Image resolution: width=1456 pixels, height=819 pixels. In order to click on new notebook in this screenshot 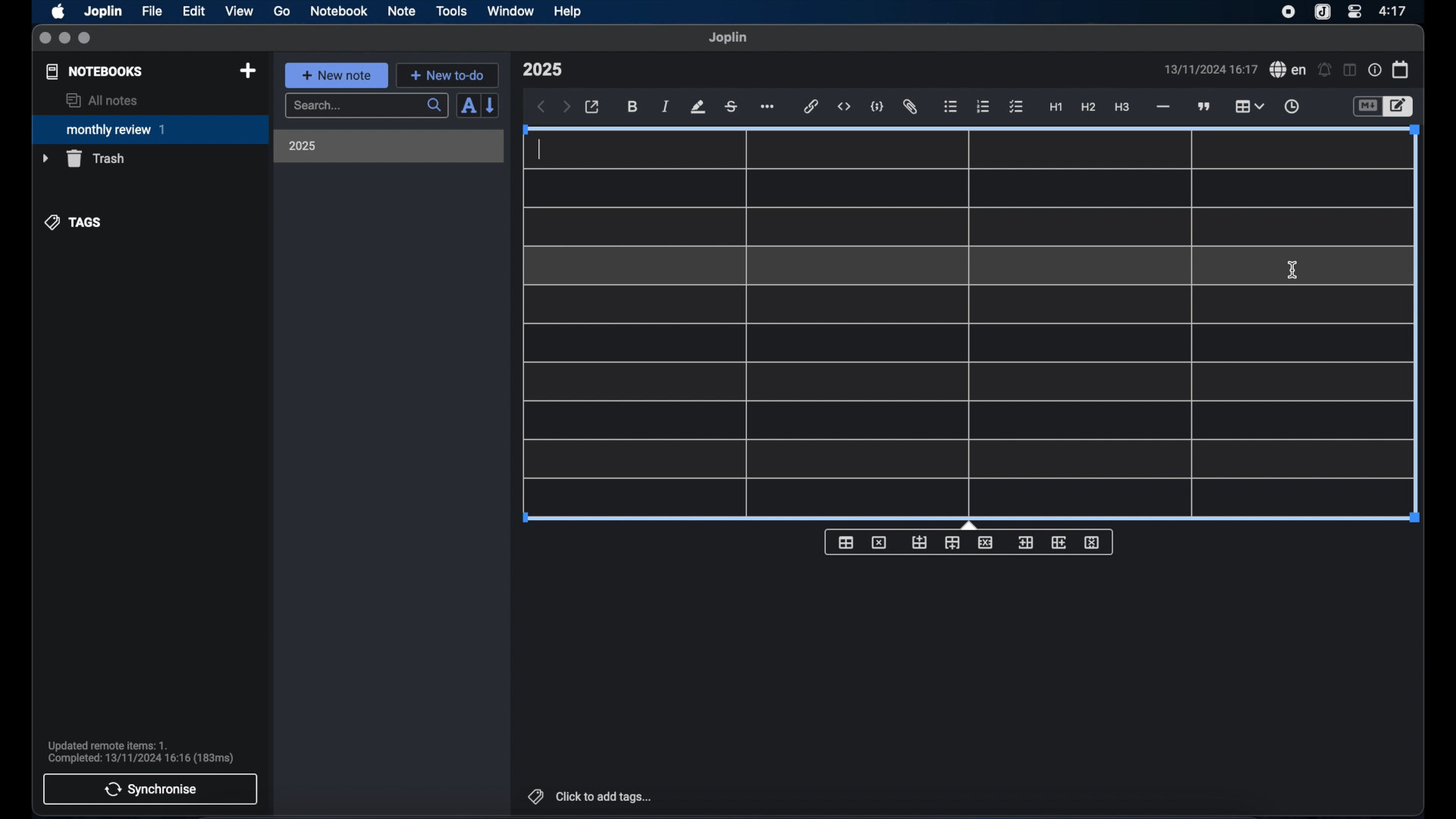, I will do `click(247, 71)`.